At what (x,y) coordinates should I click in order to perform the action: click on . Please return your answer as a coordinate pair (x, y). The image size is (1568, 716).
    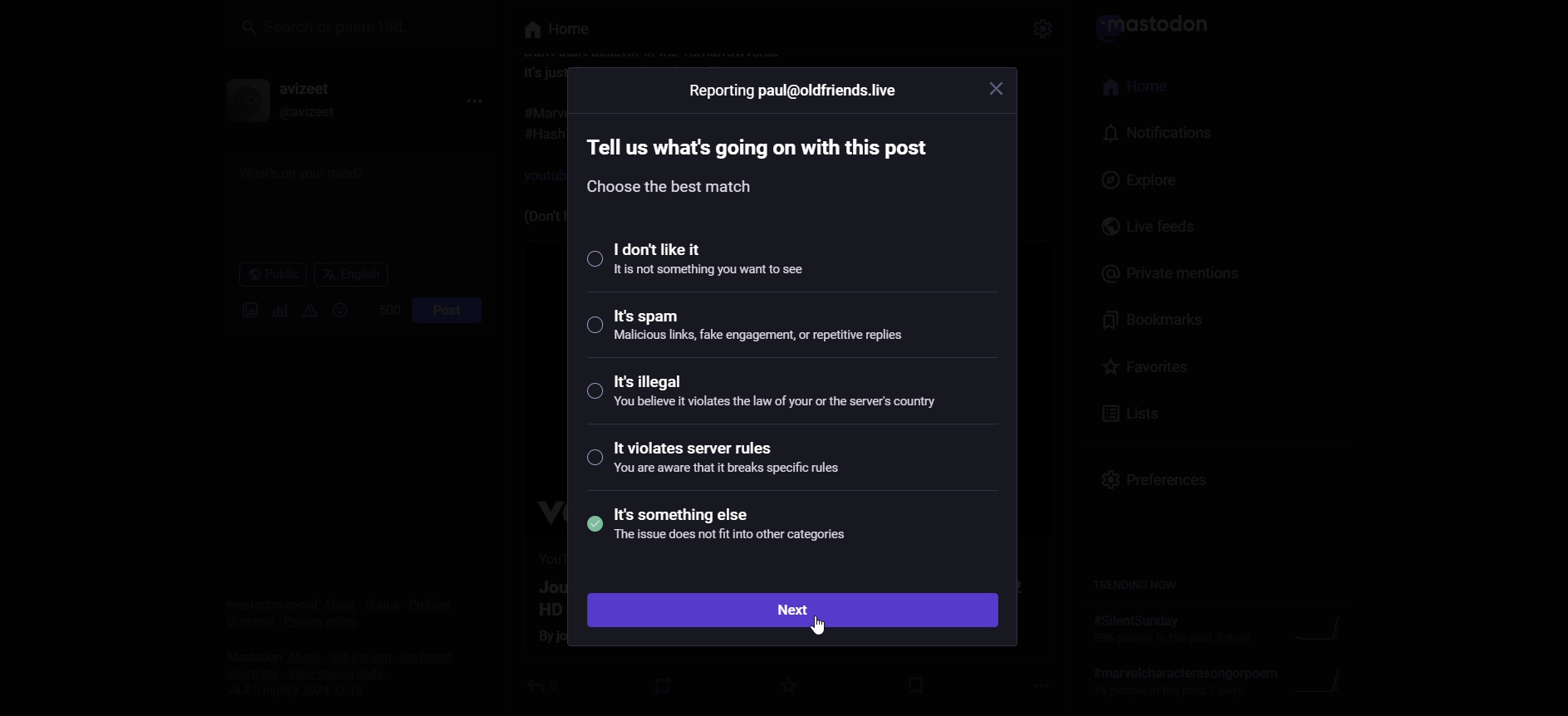
    Looking at the image, I should click on (1043, 31).